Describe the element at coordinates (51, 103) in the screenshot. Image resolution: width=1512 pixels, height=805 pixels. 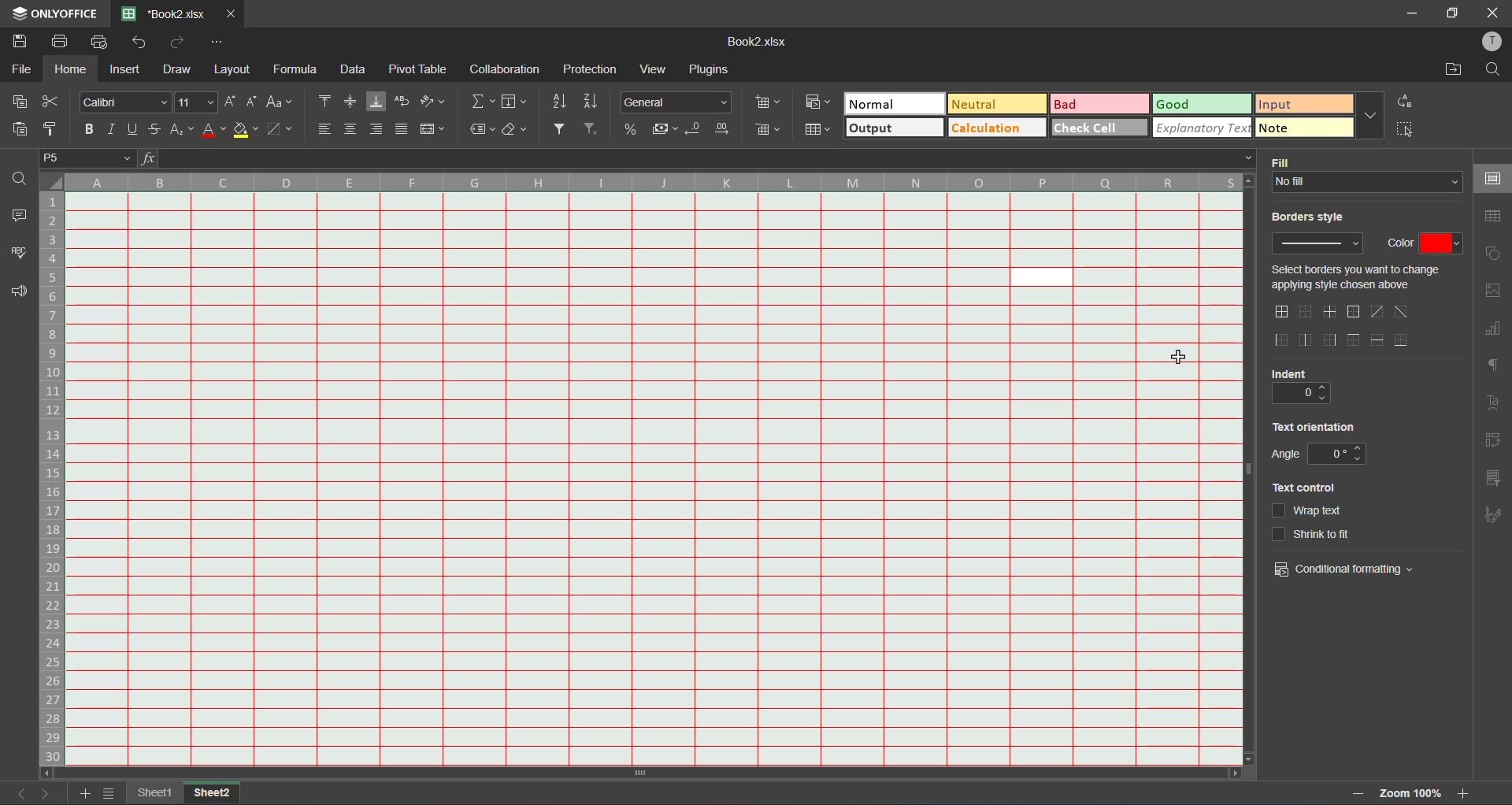
I see `cut` at that location.